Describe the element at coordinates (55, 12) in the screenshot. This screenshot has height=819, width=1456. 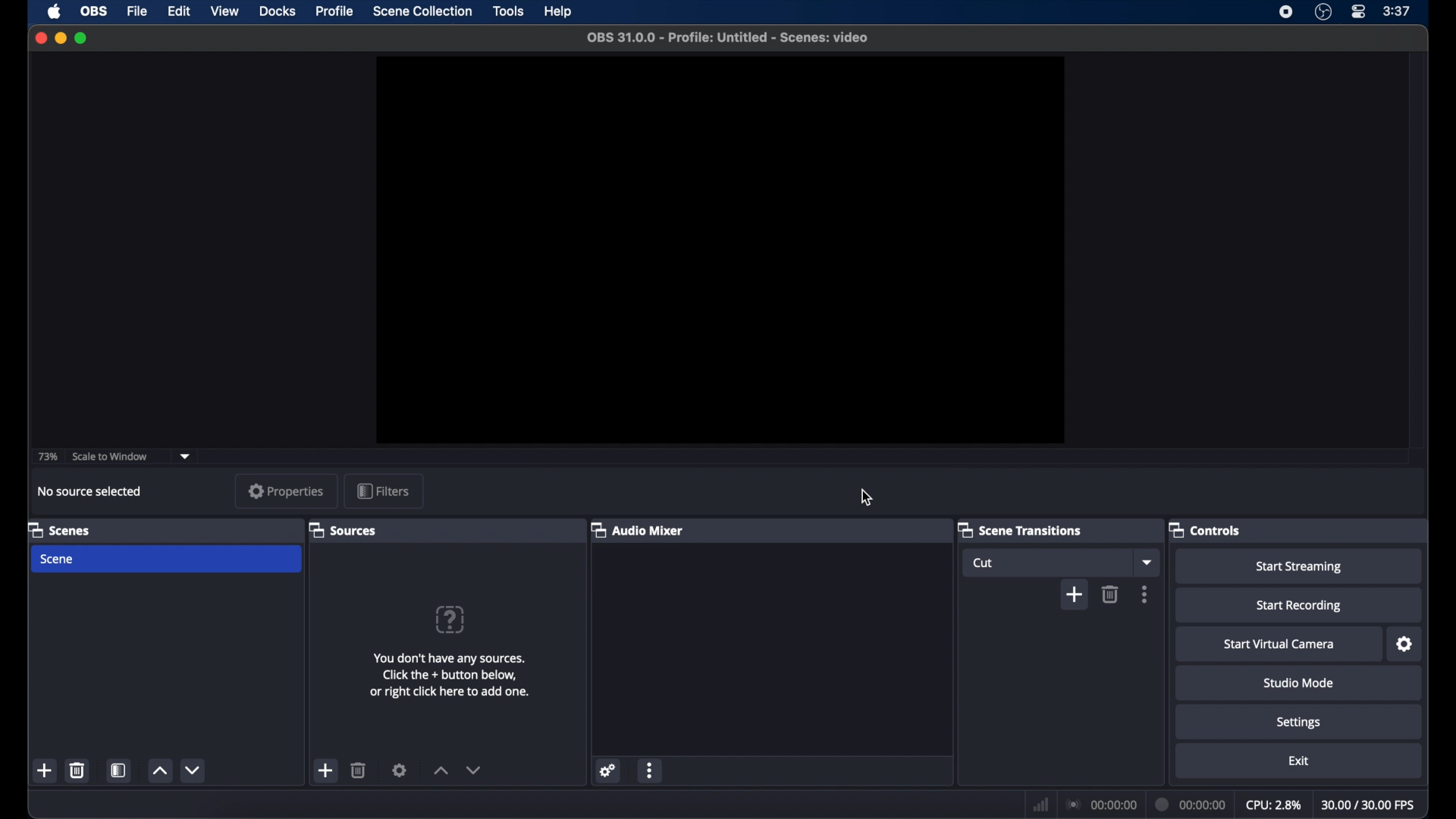
I see `apple icon` at that location.